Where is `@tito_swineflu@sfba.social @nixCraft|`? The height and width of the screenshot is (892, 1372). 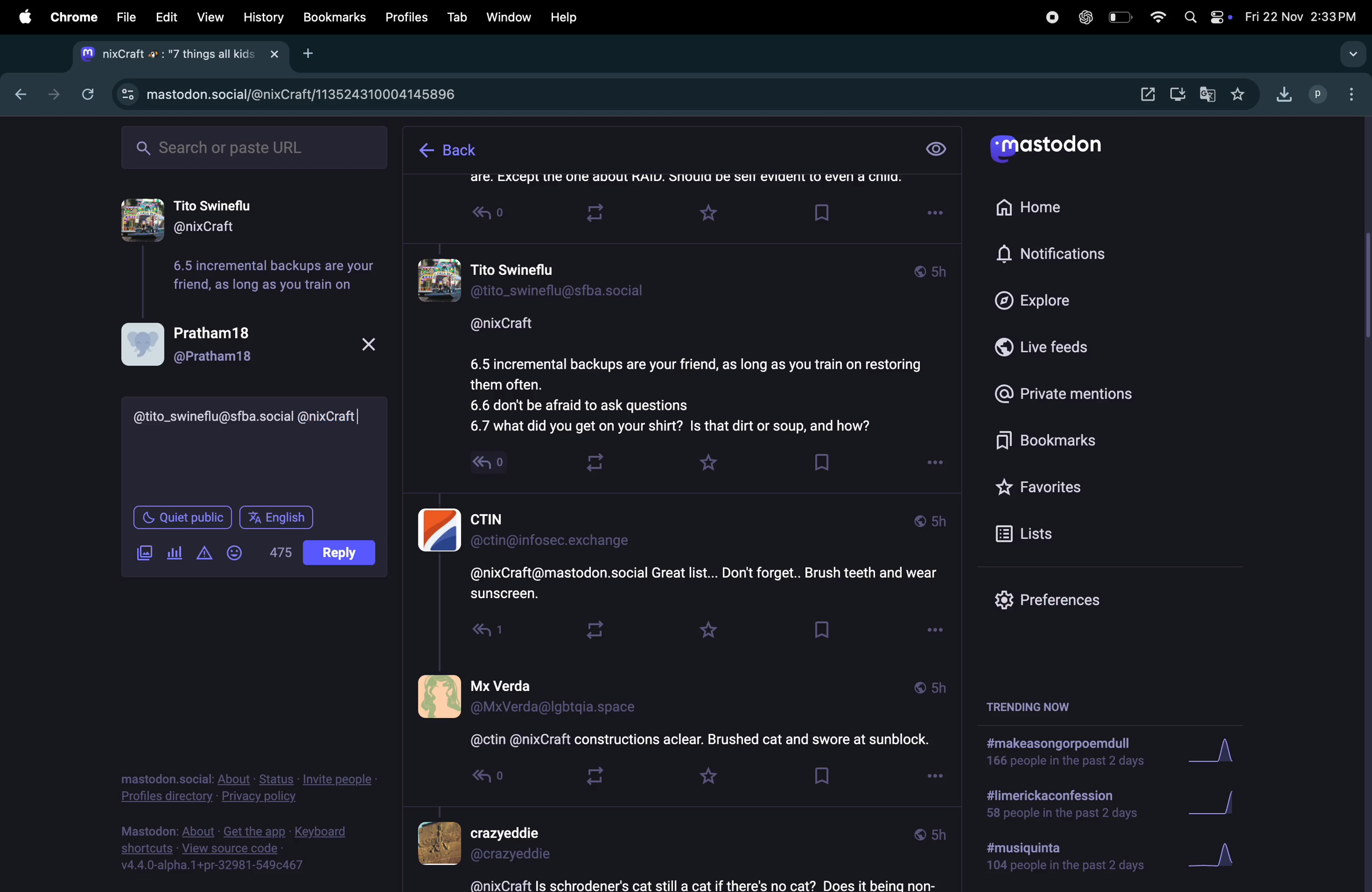 @tito_swineflu@sfba.social @nixCraft| is located at coordinates (254, 415).